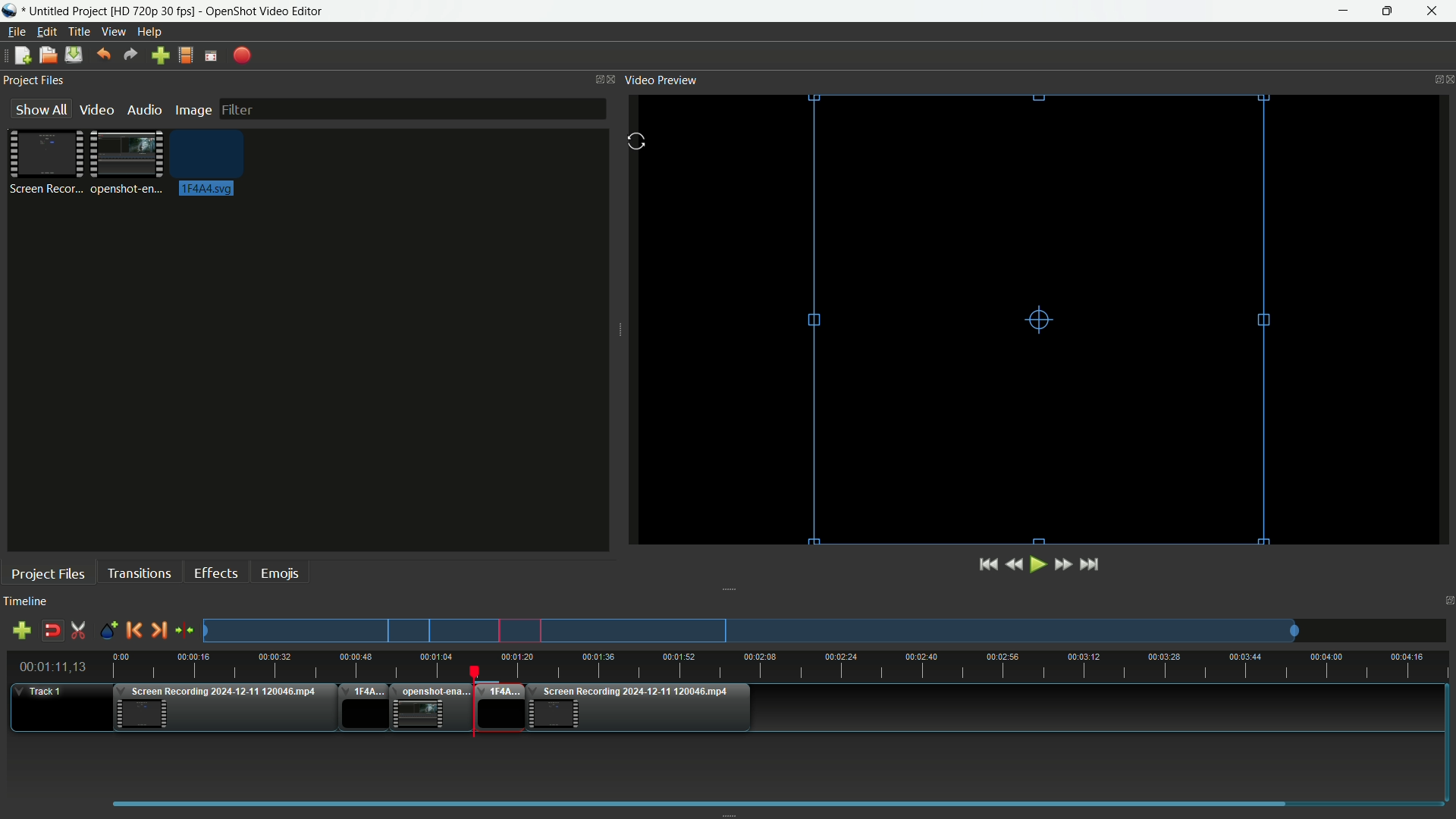 This screenshot has height=819, width=1456. What do you see at coordinates (215, 573) in the screenshot?
I see `Effects` at bounding box center [215, 573].